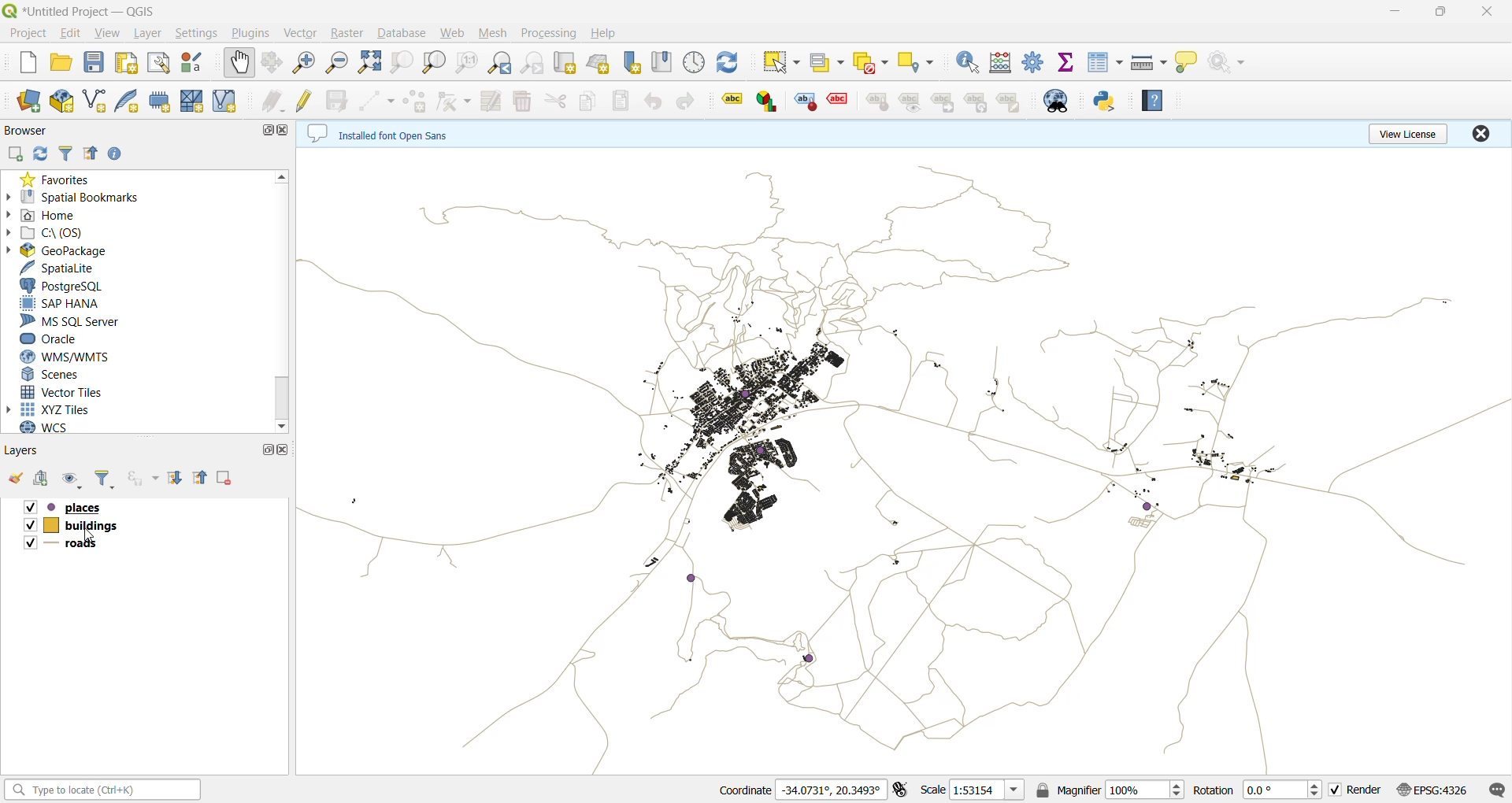 This screenshot has width=1512, height=803. What do you see at coordinates (128, 102) in the screenshot?
I see `new spatialite layer` at bounding box center [128, 102].